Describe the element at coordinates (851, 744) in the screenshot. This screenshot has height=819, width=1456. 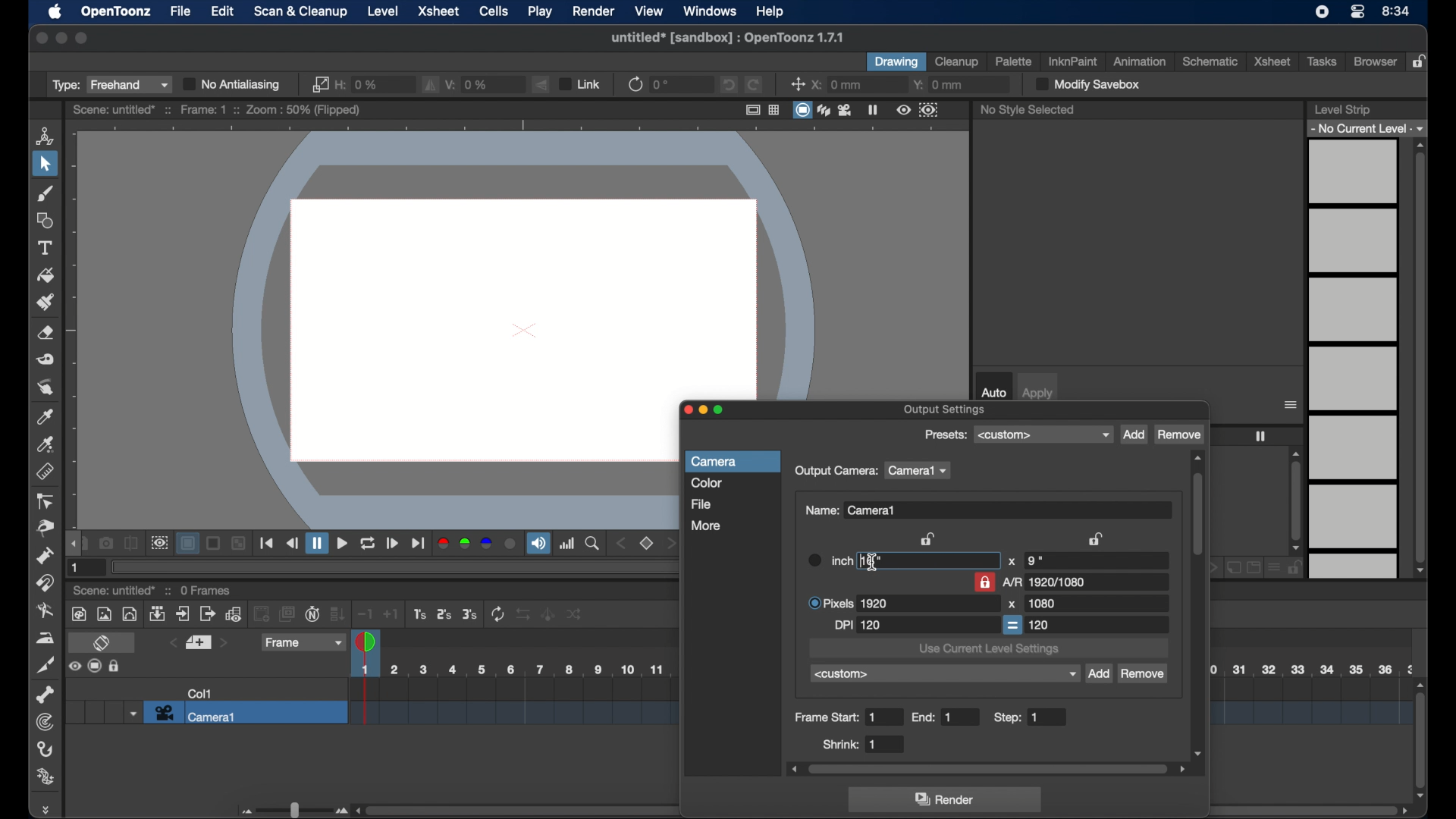
I see `shrink` at that location.